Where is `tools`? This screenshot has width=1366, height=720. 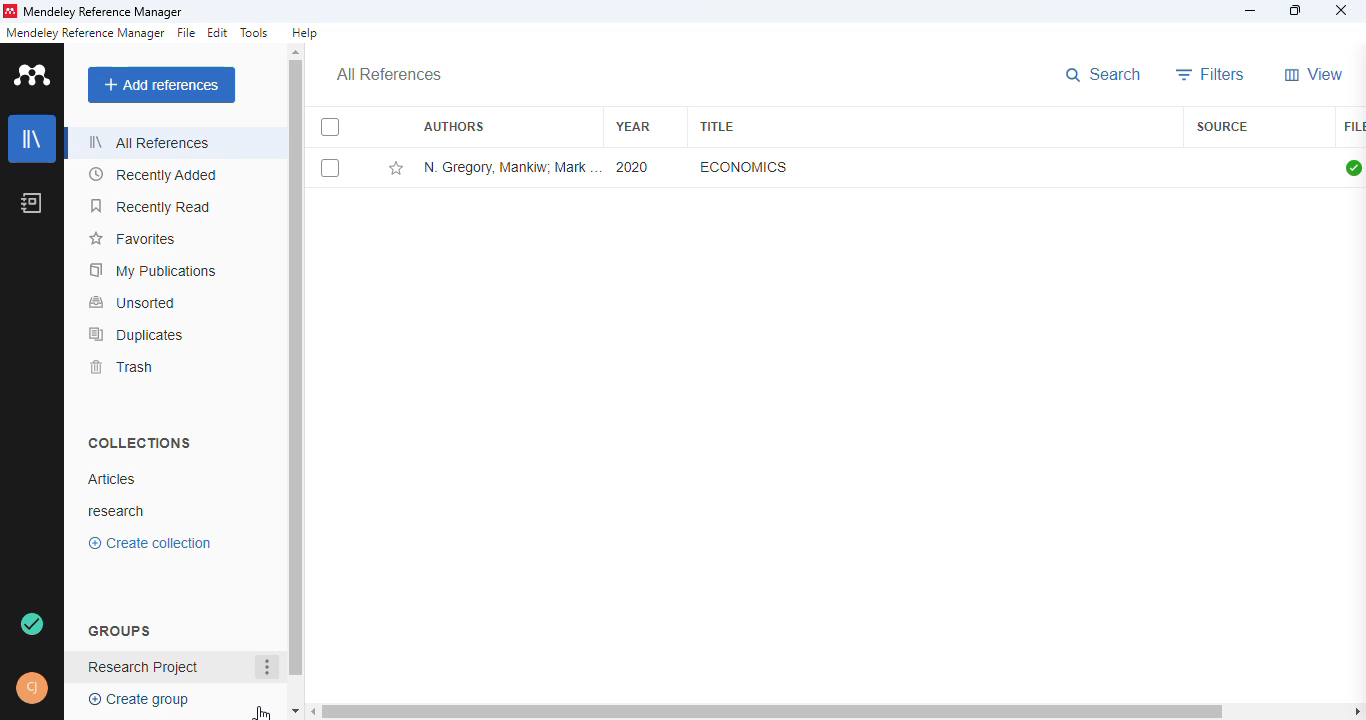
tools is located at coordinates (255, 32).